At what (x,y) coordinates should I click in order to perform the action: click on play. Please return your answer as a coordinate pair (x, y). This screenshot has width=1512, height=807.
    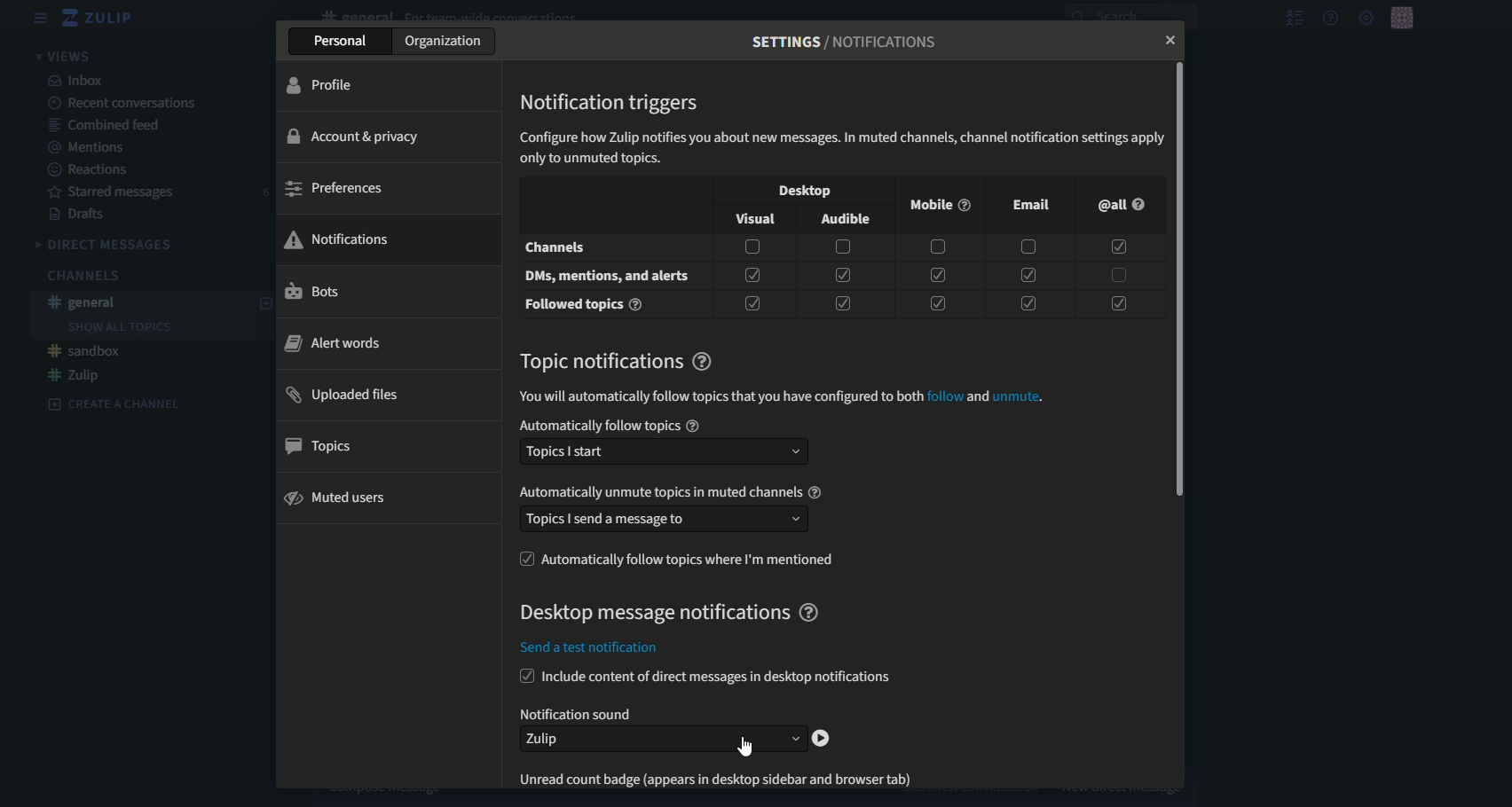
    Looking at the image, I should click on (823, 739).